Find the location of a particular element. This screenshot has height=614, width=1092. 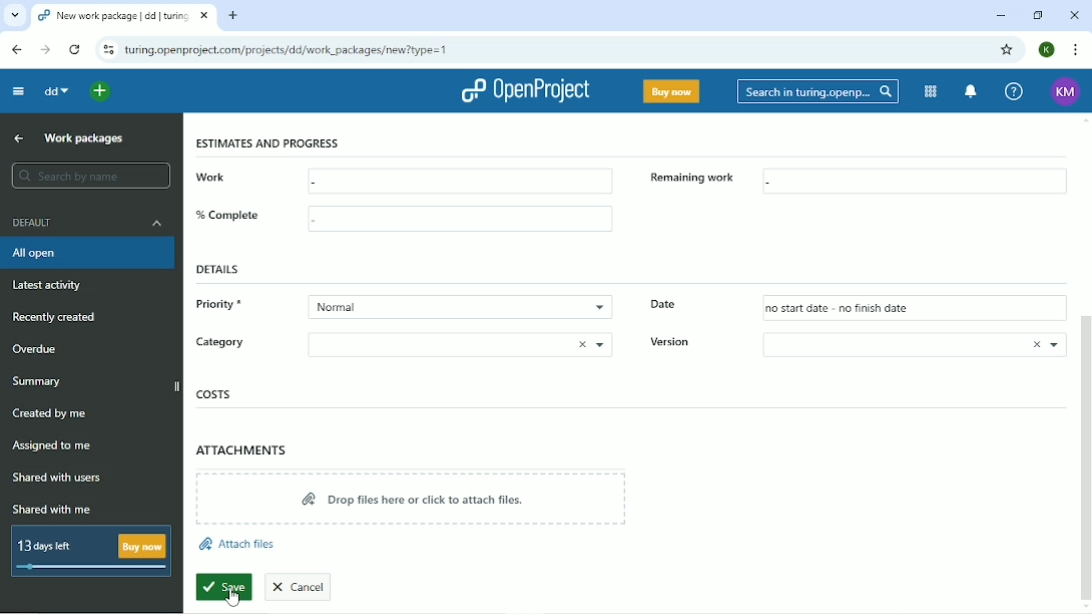

Customize and control google chrome is located at coordinates (1079, 50).